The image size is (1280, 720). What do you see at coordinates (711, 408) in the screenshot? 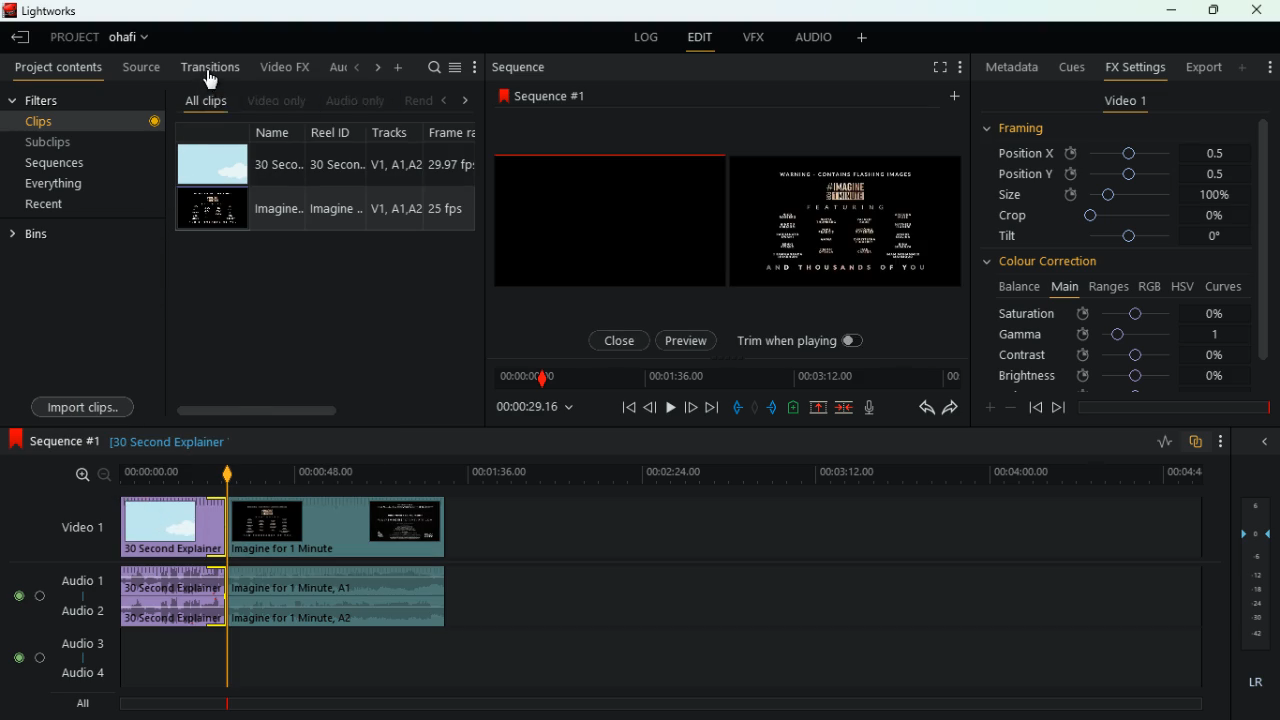
I see `forward` at bounding box center [711, 408].